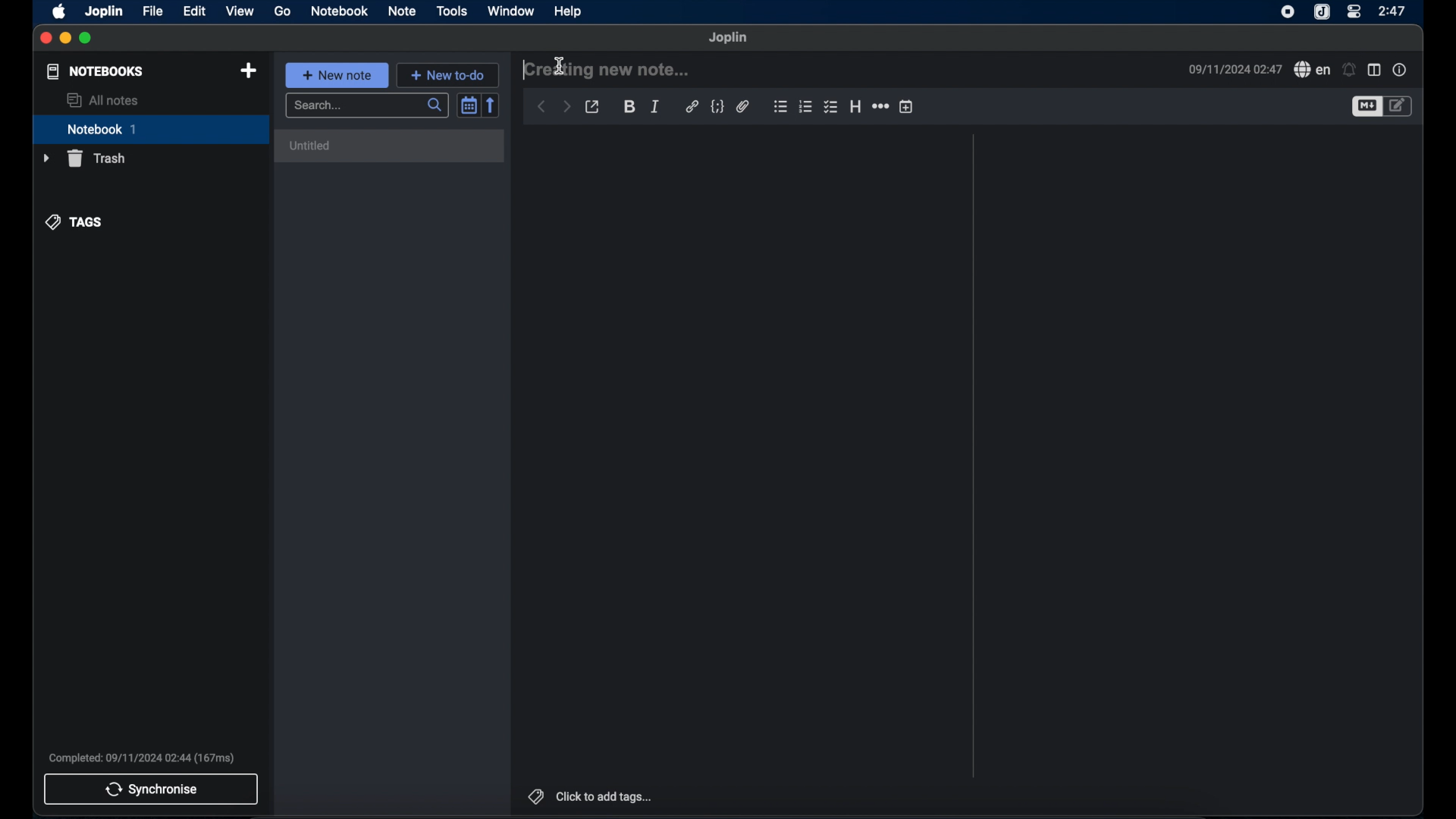  What do you see at coordinates (152, 11) in the screenshot?
I see `file` at bounding box center [152, 11].